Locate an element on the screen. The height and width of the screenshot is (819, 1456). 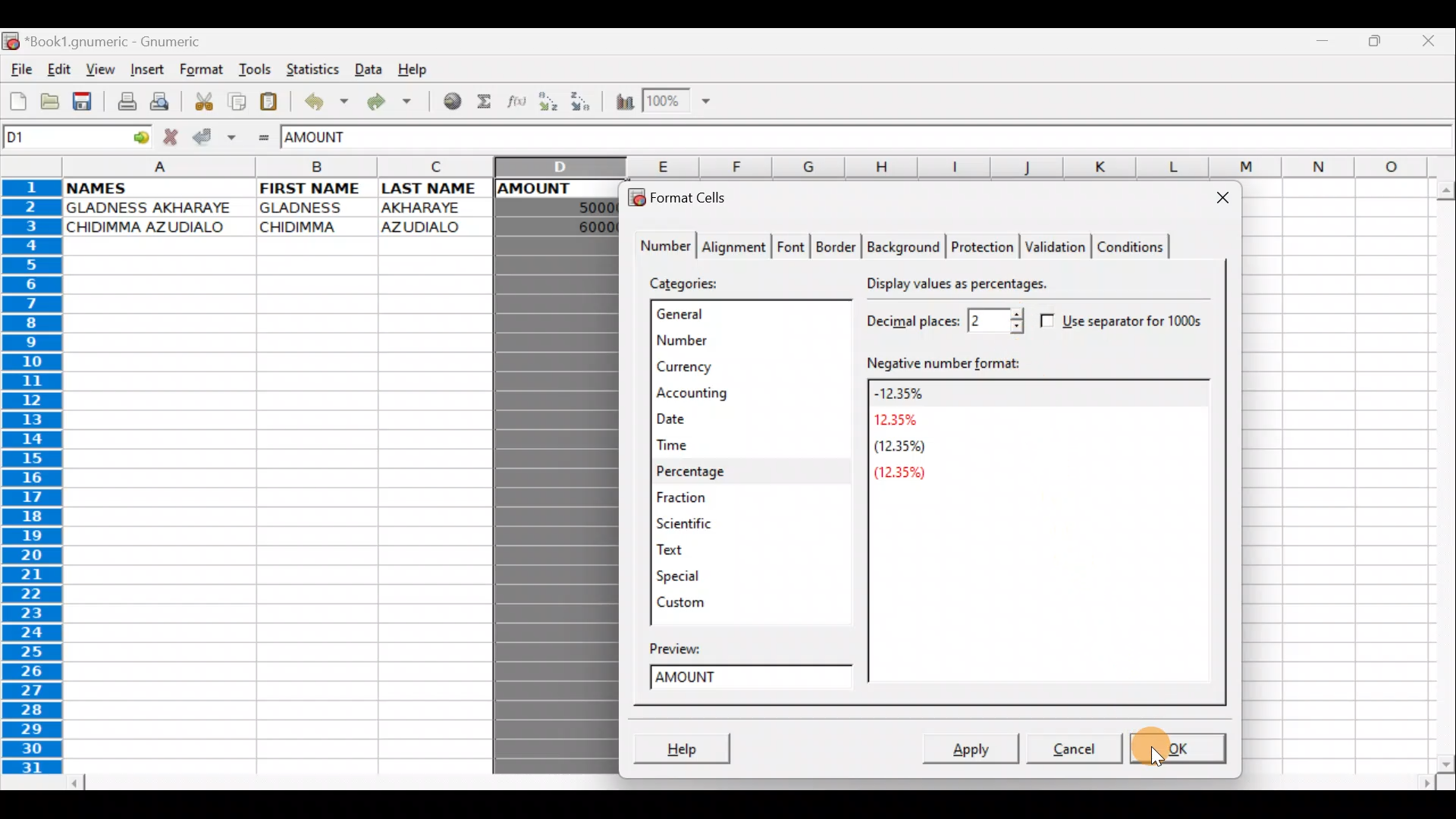
Copy selection is located at coordinates (234, 101).